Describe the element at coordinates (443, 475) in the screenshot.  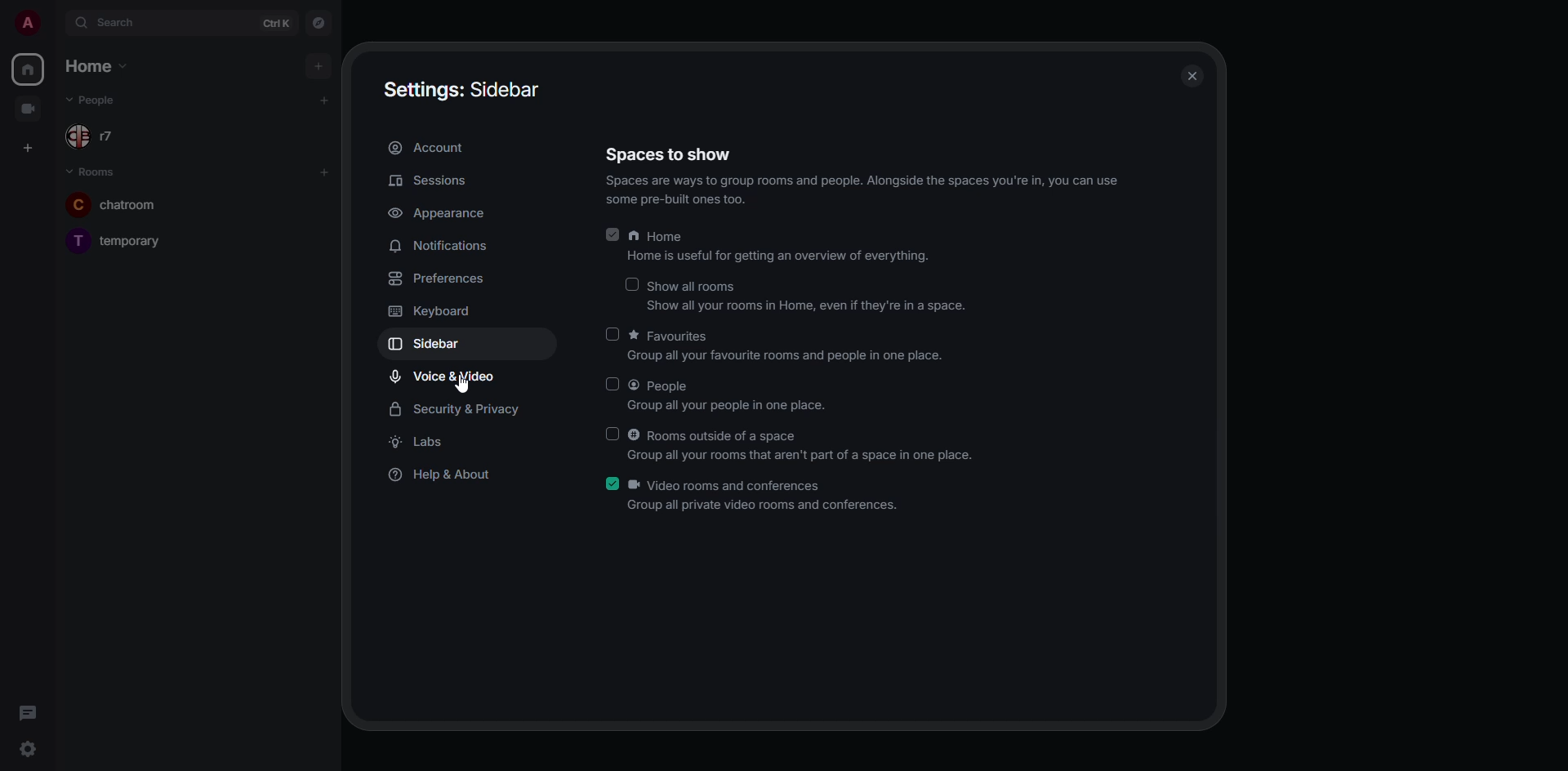
I see `help & about` at that location.